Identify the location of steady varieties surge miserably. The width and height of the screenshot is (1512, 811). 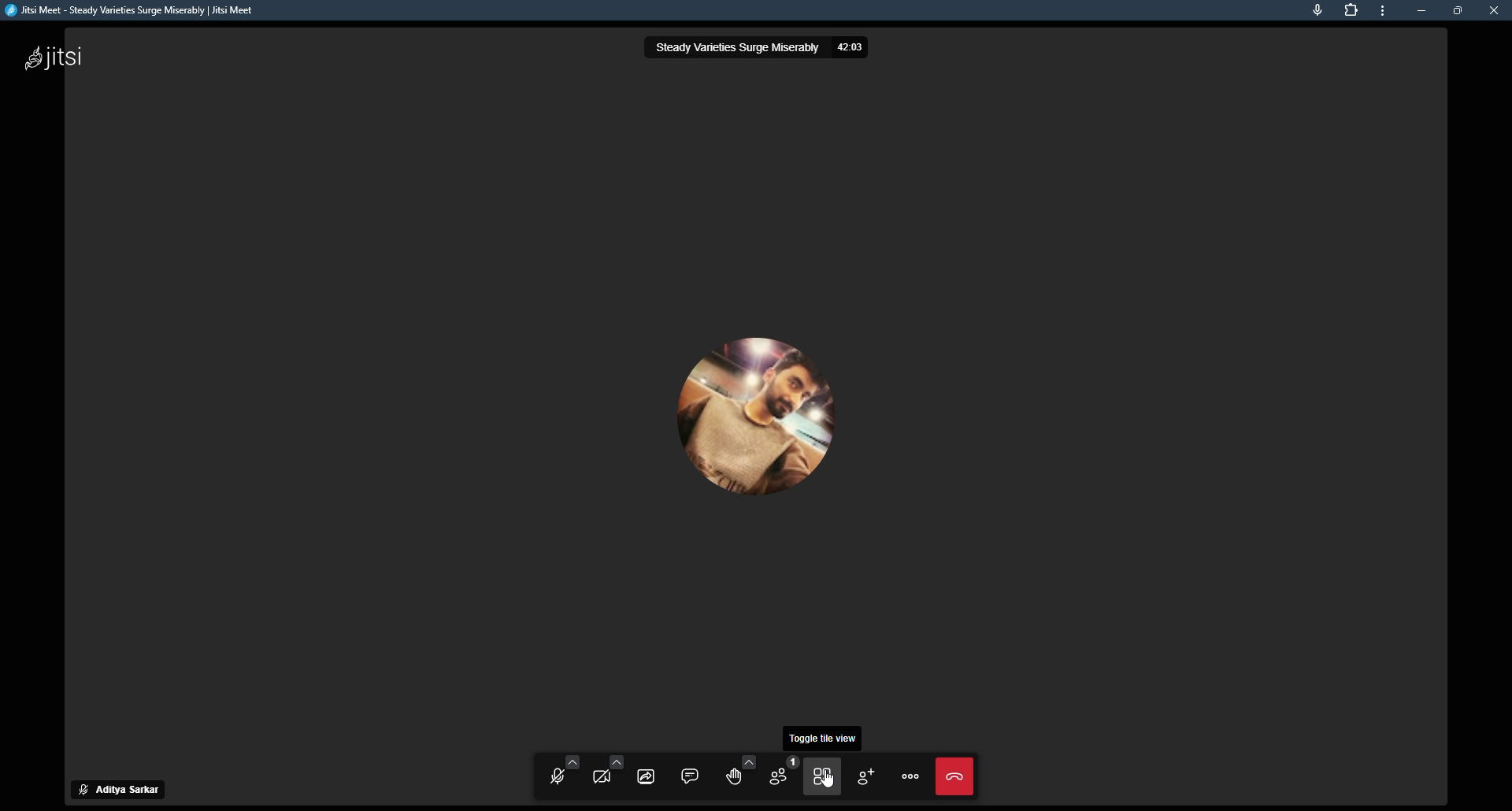
(733, 49).